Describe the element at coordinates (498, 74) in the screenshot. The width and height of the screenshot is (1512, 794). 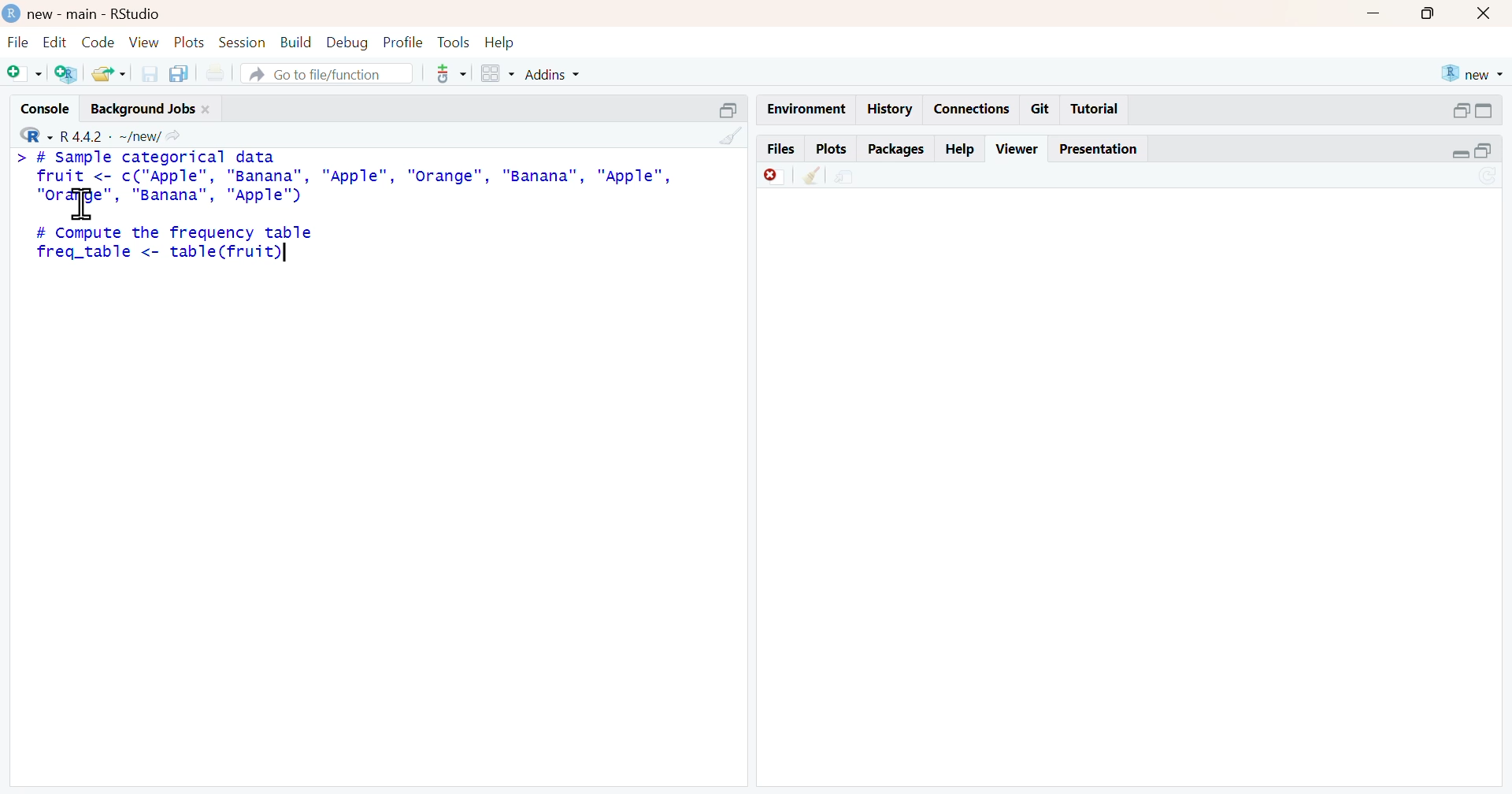
I see `workspace panes` at that location.